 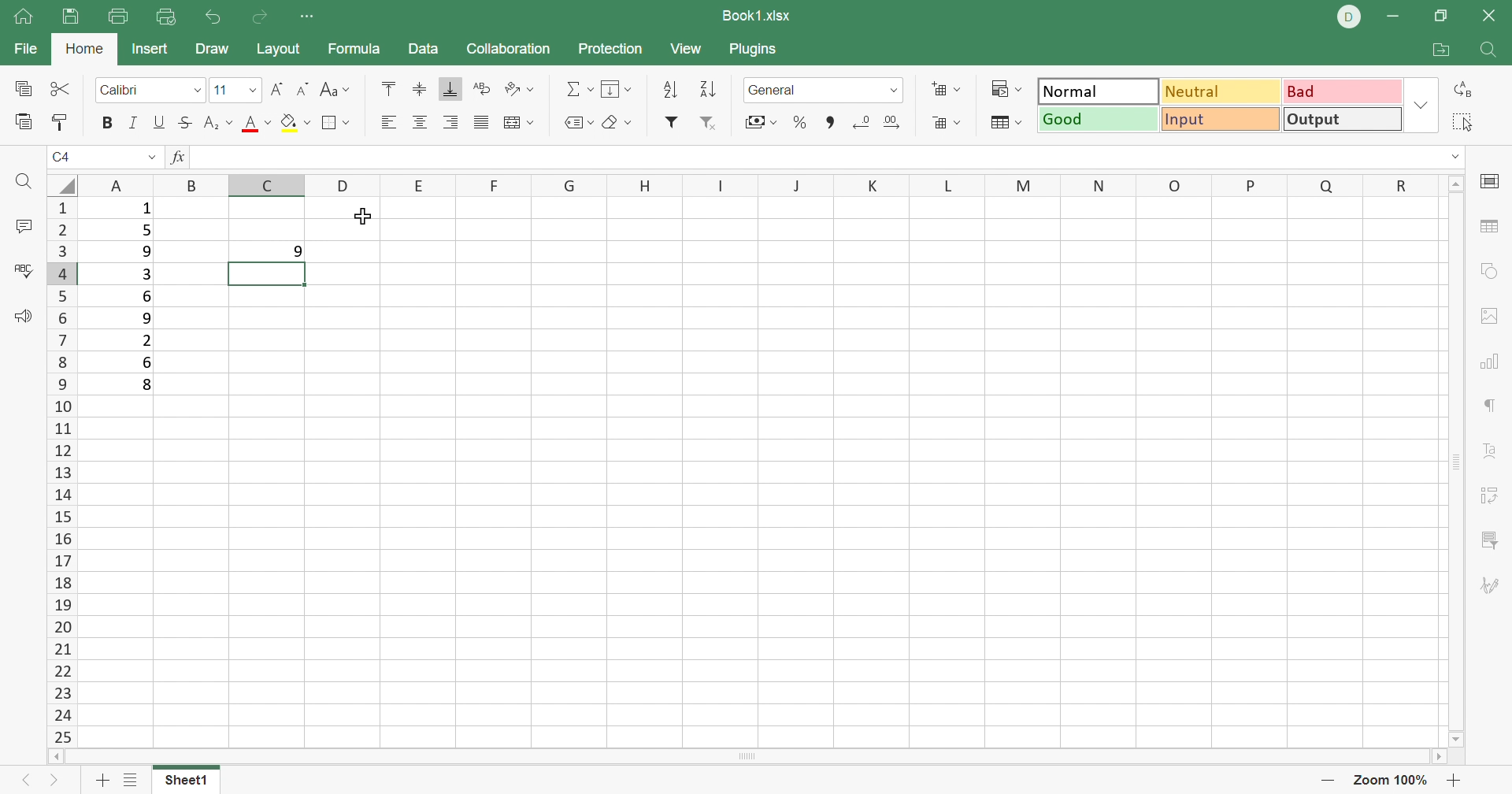 I want to click on selected cell, so click(x=265, y=274).